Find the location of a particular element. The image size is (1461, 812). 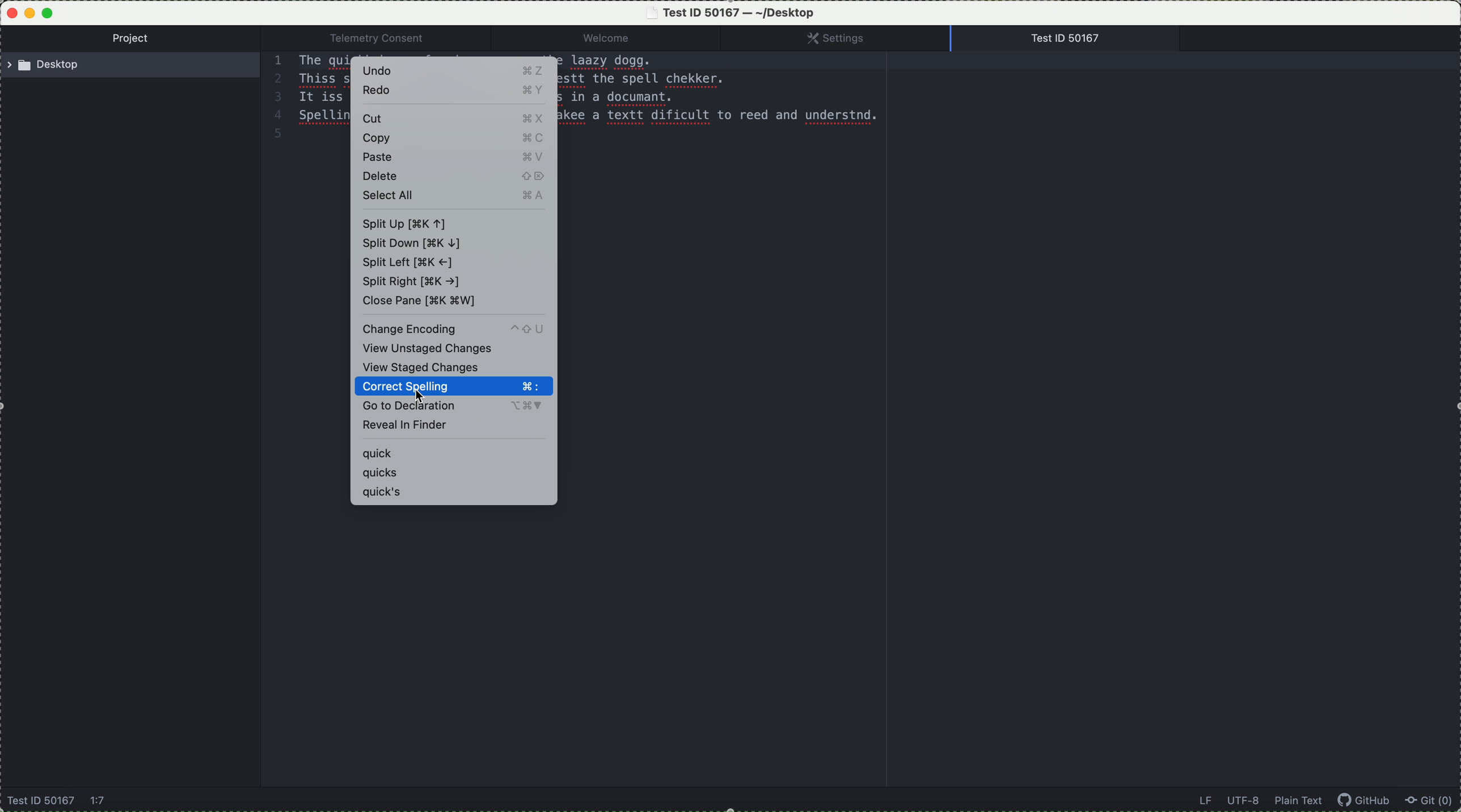

redo is located at coordinates (455, 91).